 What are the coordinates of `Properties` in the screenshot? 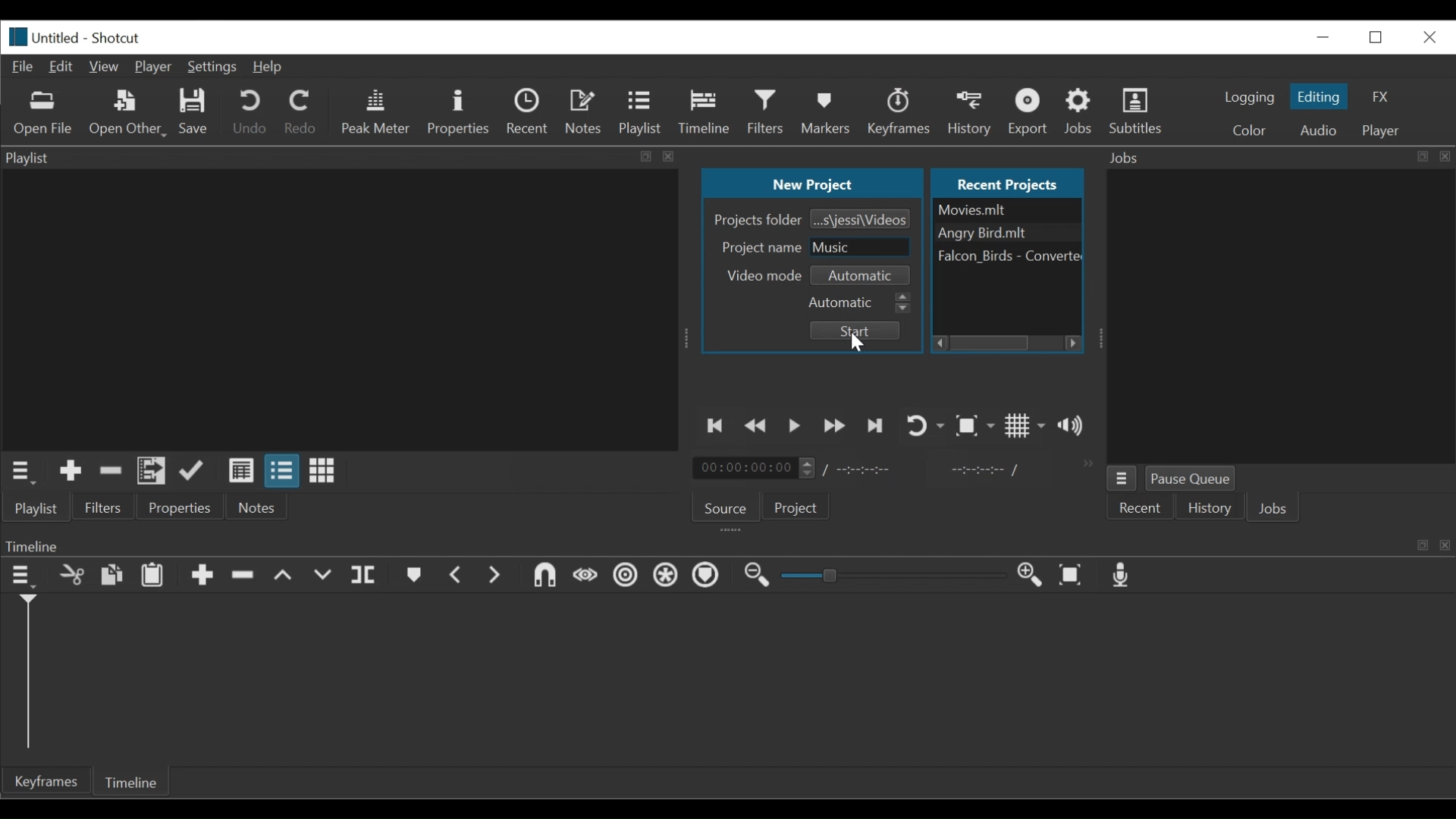 It's located at (459, 111).